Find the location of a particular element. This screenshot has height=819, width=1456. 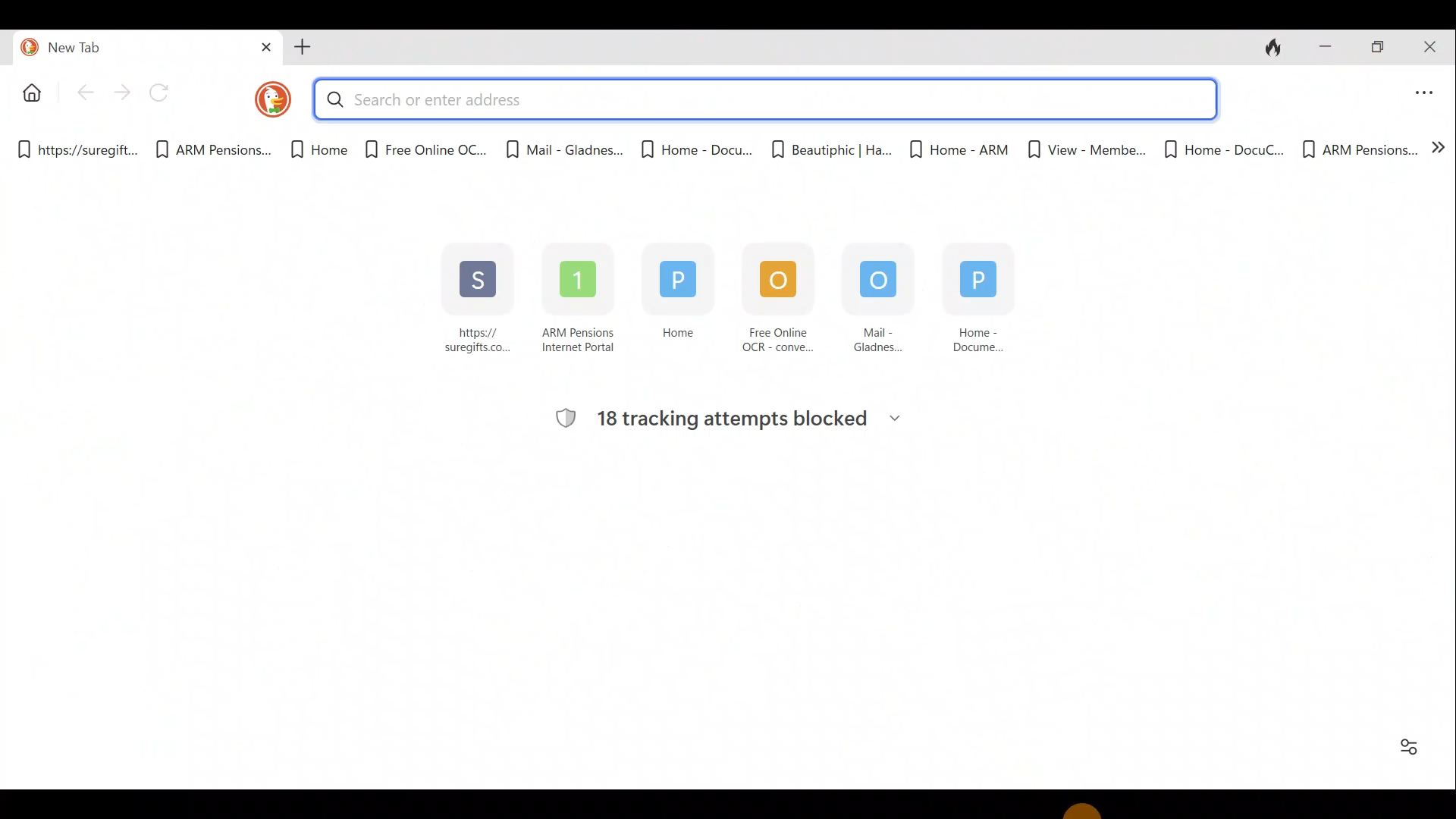

Home - DocuC... is located at coordinates (1222, 147).